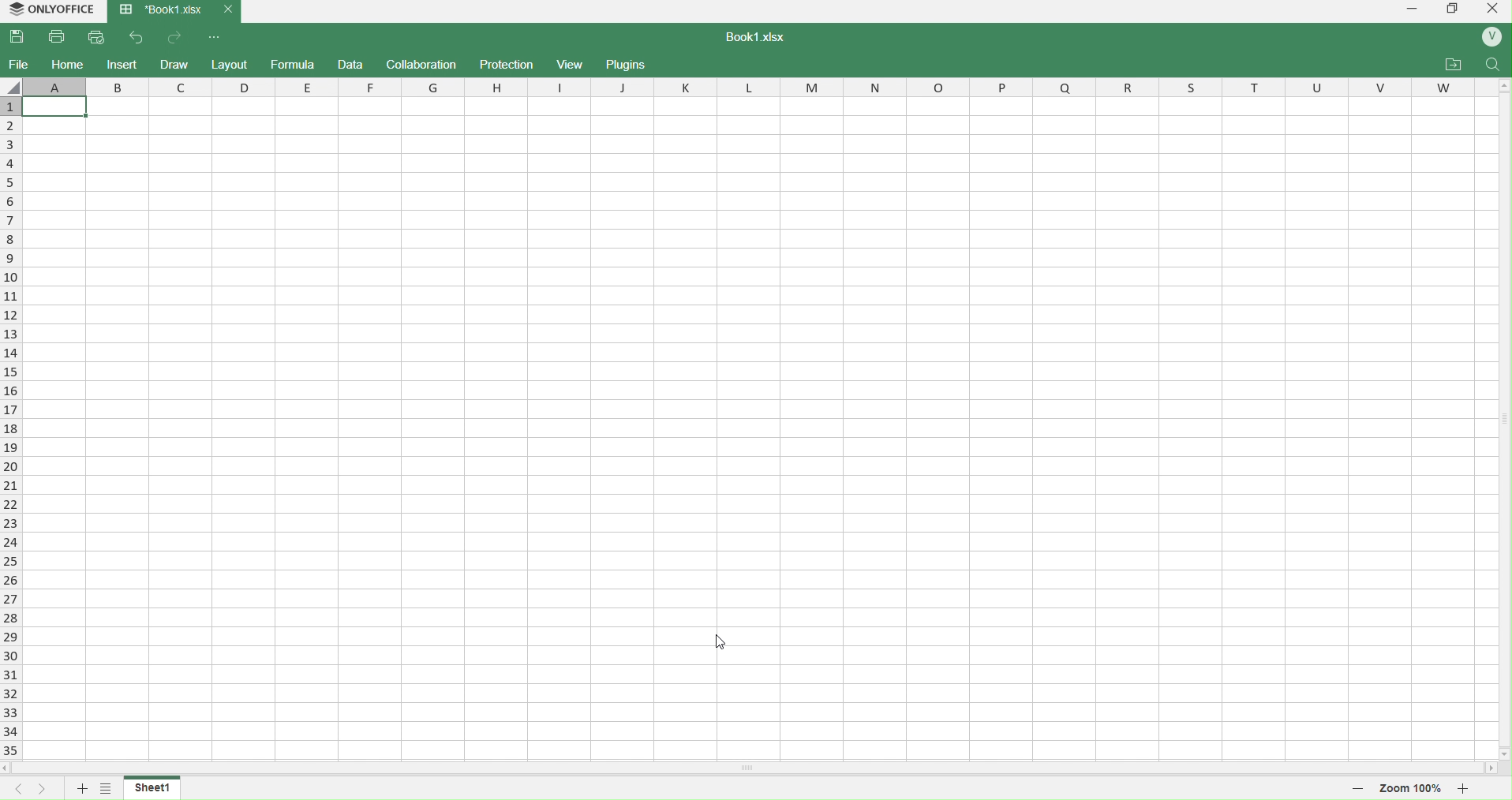  I want to click on search, so click(1494, 64).